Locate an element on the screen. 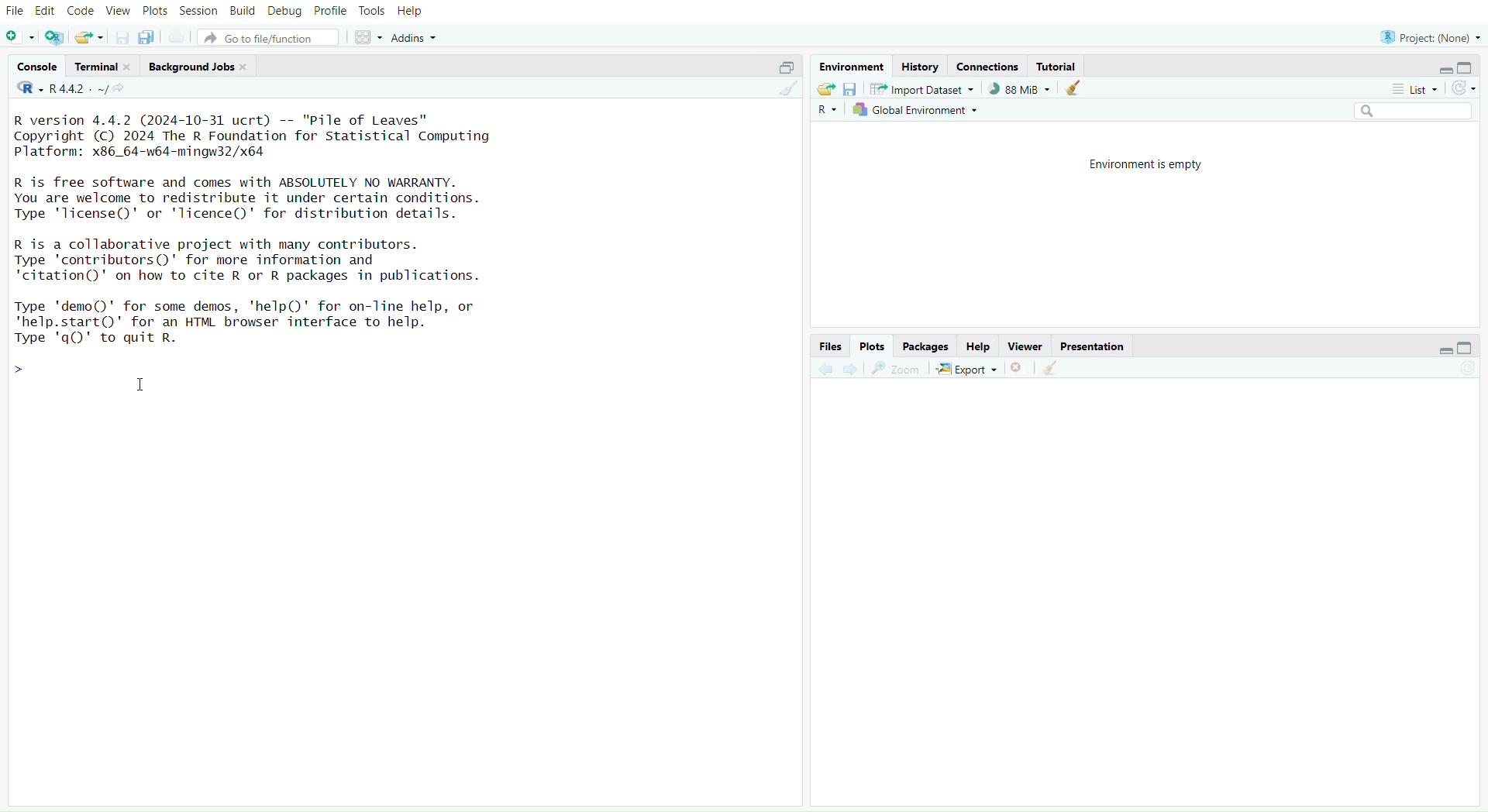  terminal is located at coordinates (105, 67).